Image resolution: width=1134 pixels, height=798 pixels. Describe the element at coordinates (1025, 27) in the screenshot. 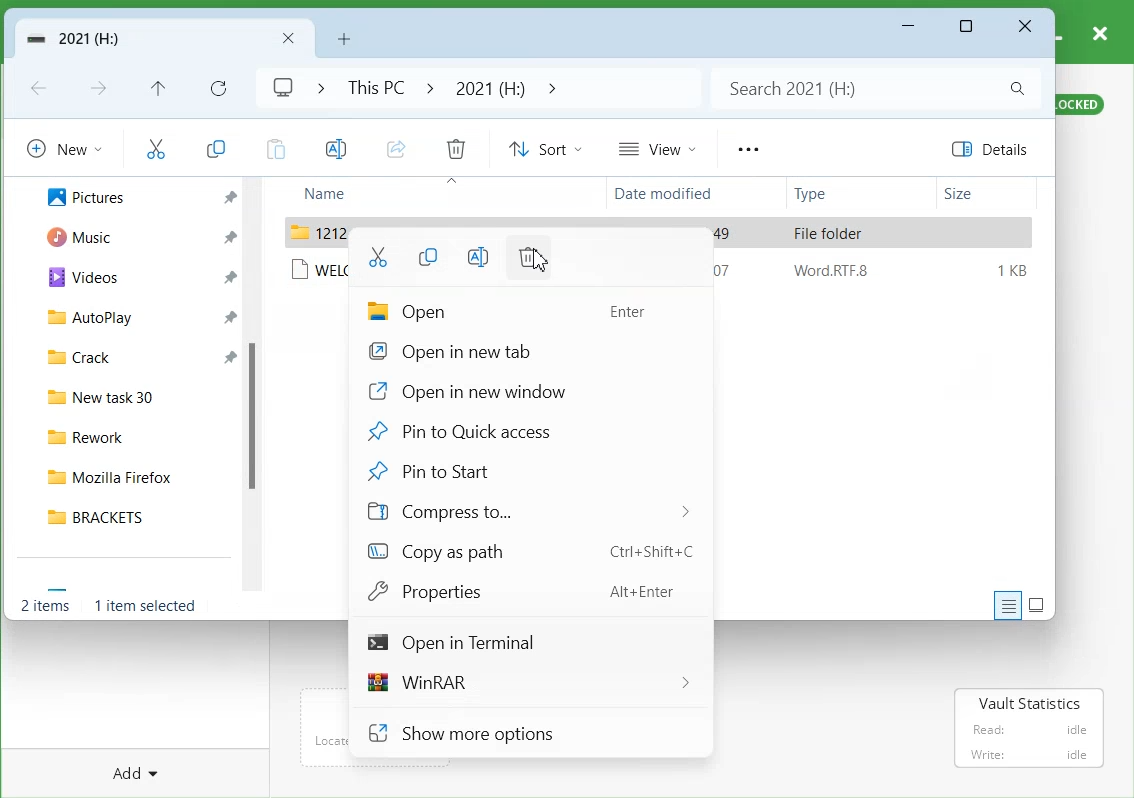

I see `Close` at that location.